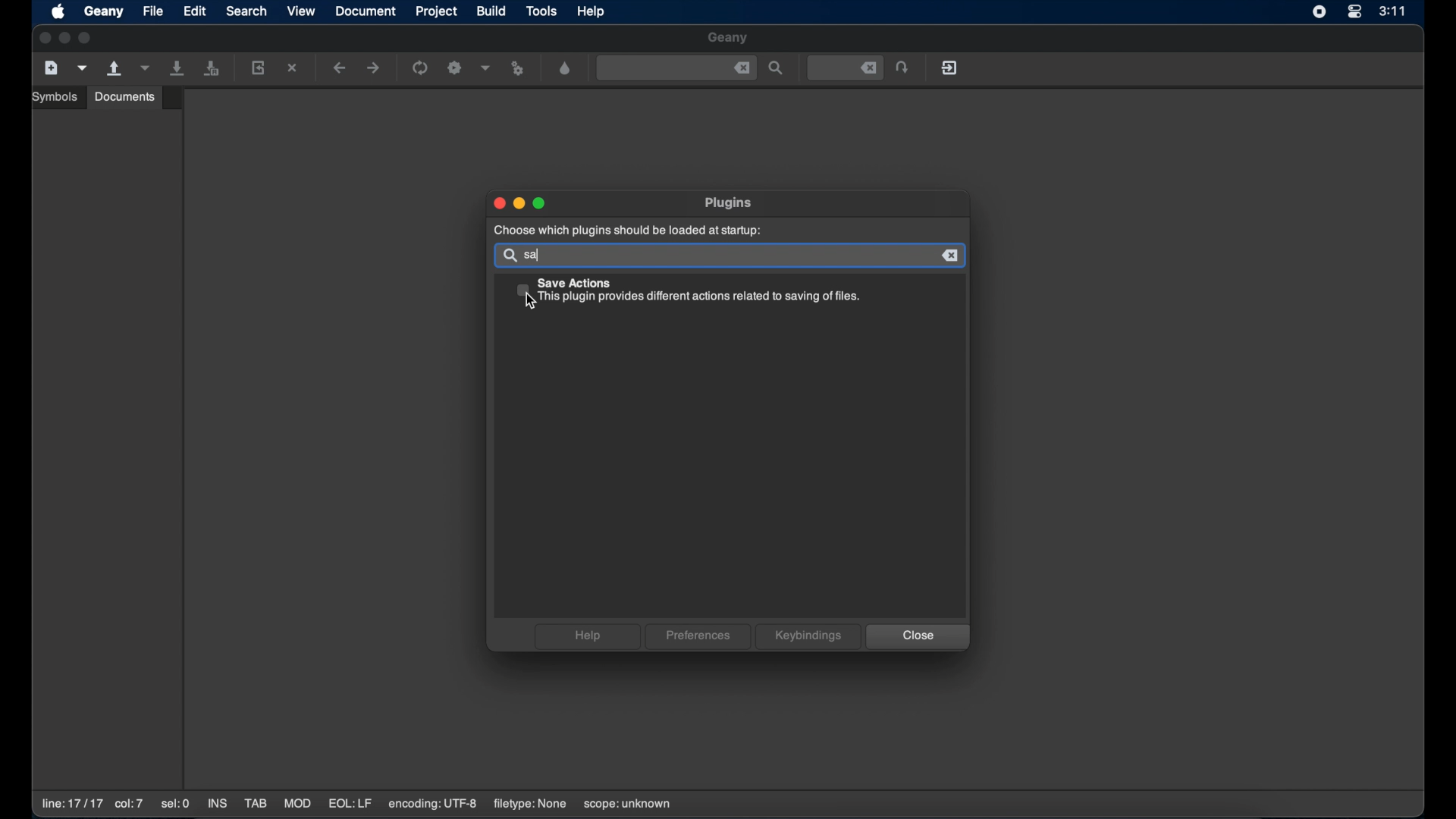 The width and height of the screenshot is (1456, 819). What do you see at coordinates (212, 69) in the screenshot?
I see `save all open files` at bounding box center [212, 69].